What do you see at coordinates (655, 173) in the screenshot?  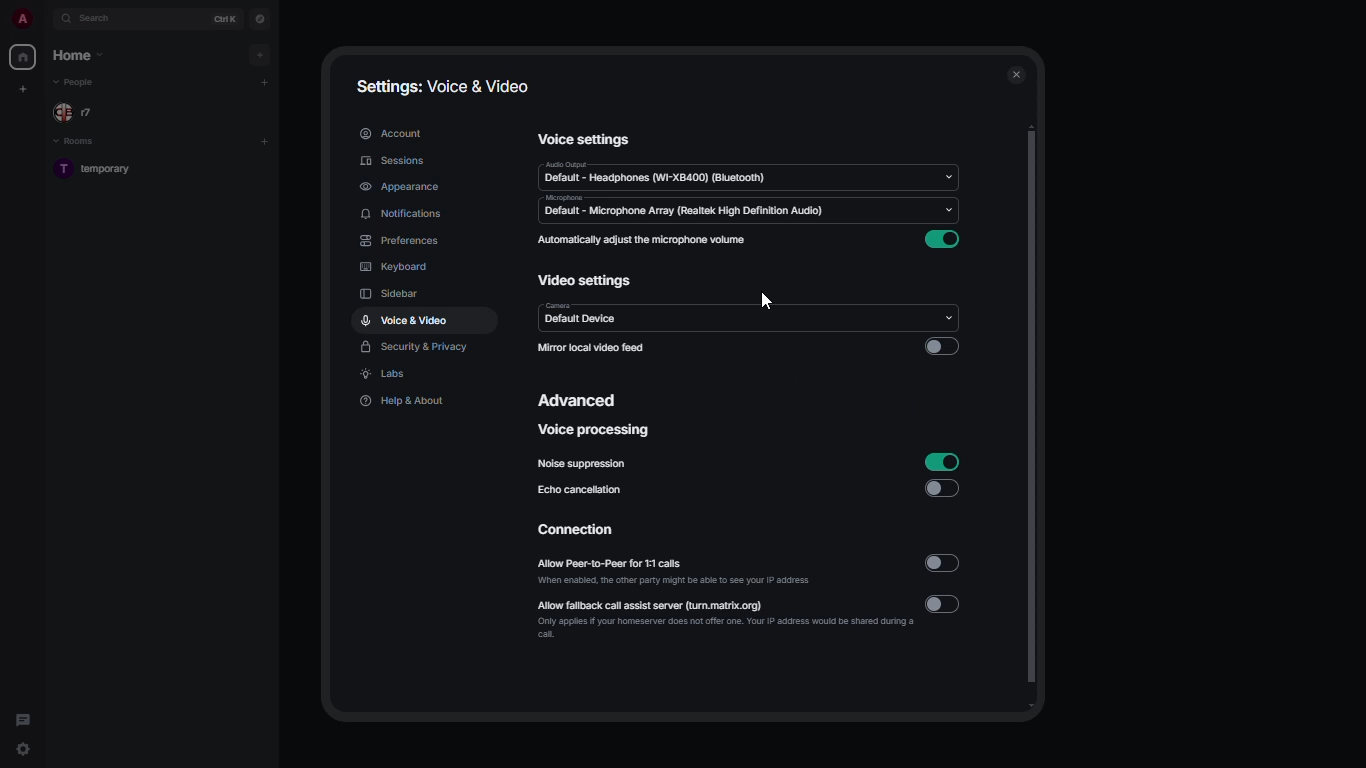 I see `audio default` at bounding box center [655, 173].